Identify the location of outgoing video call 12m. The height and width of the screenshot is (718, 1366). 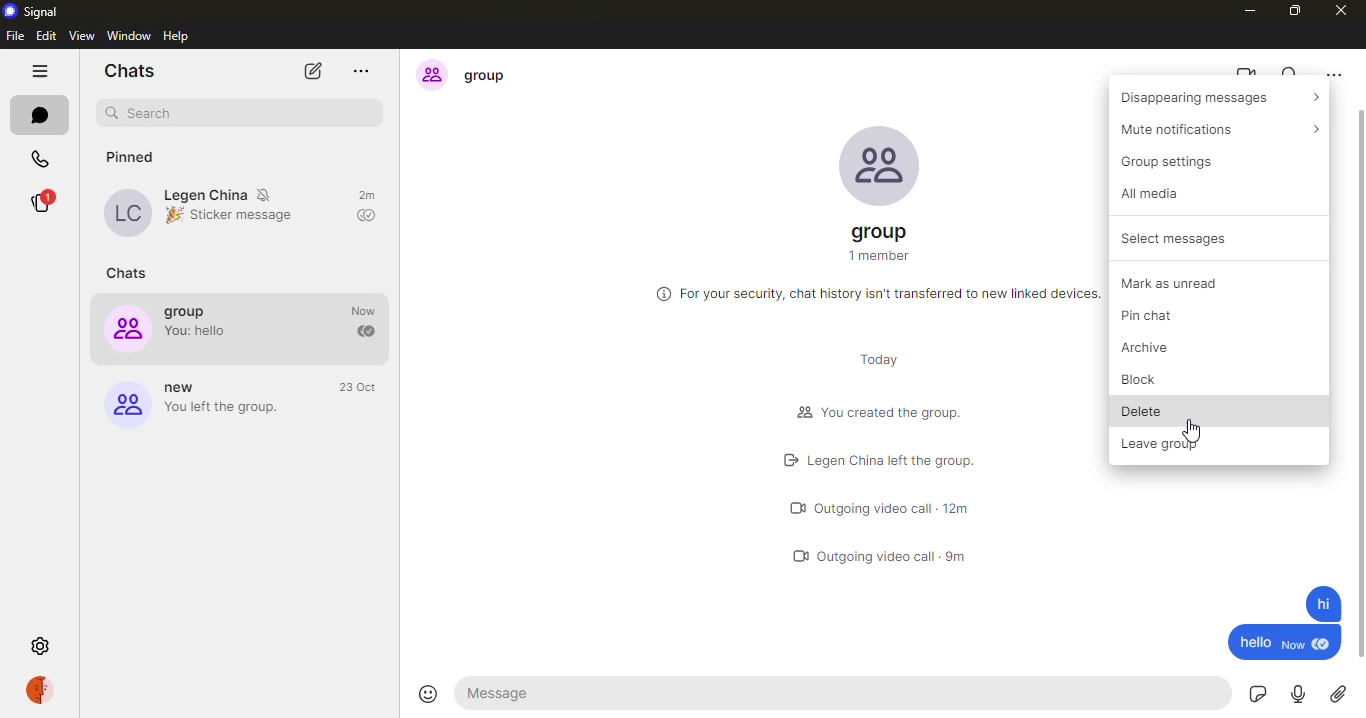
(896, 508).